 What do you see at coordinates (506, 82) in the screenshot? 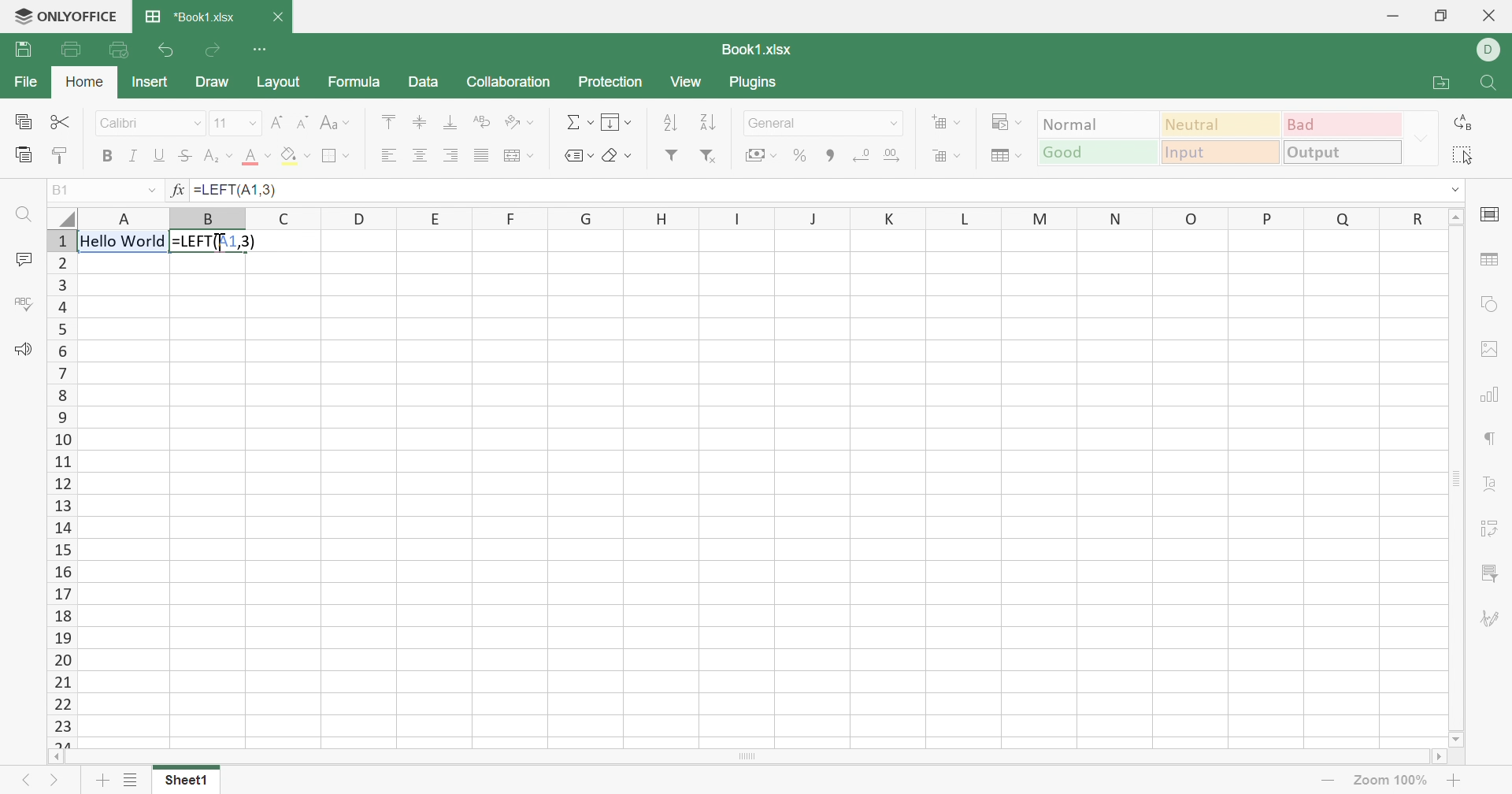
I see `Collaboration` at bounding box center [506, 82].